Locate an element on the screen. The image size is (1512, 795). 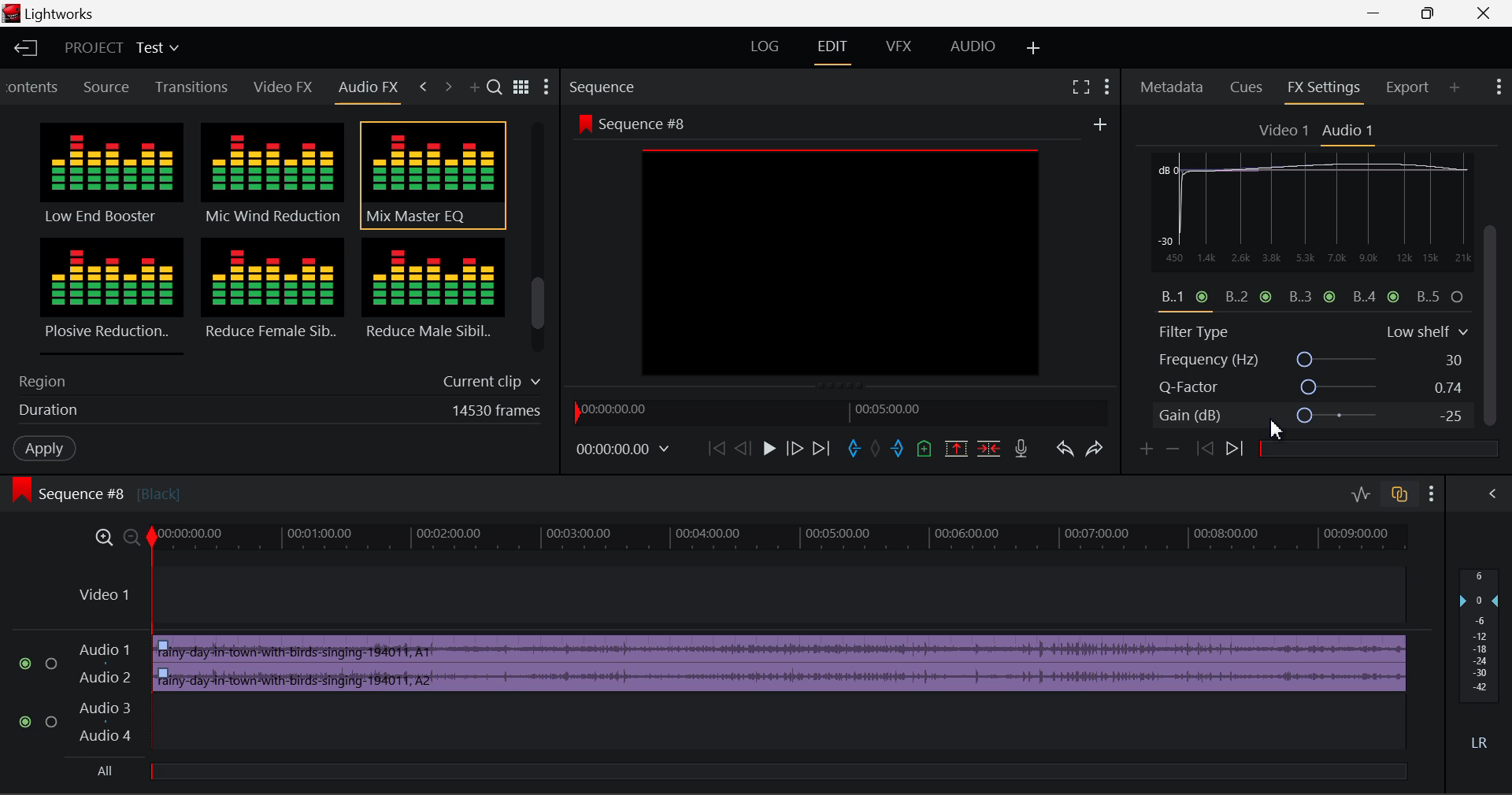
Mark Cue is located at coordinates (923, 449).